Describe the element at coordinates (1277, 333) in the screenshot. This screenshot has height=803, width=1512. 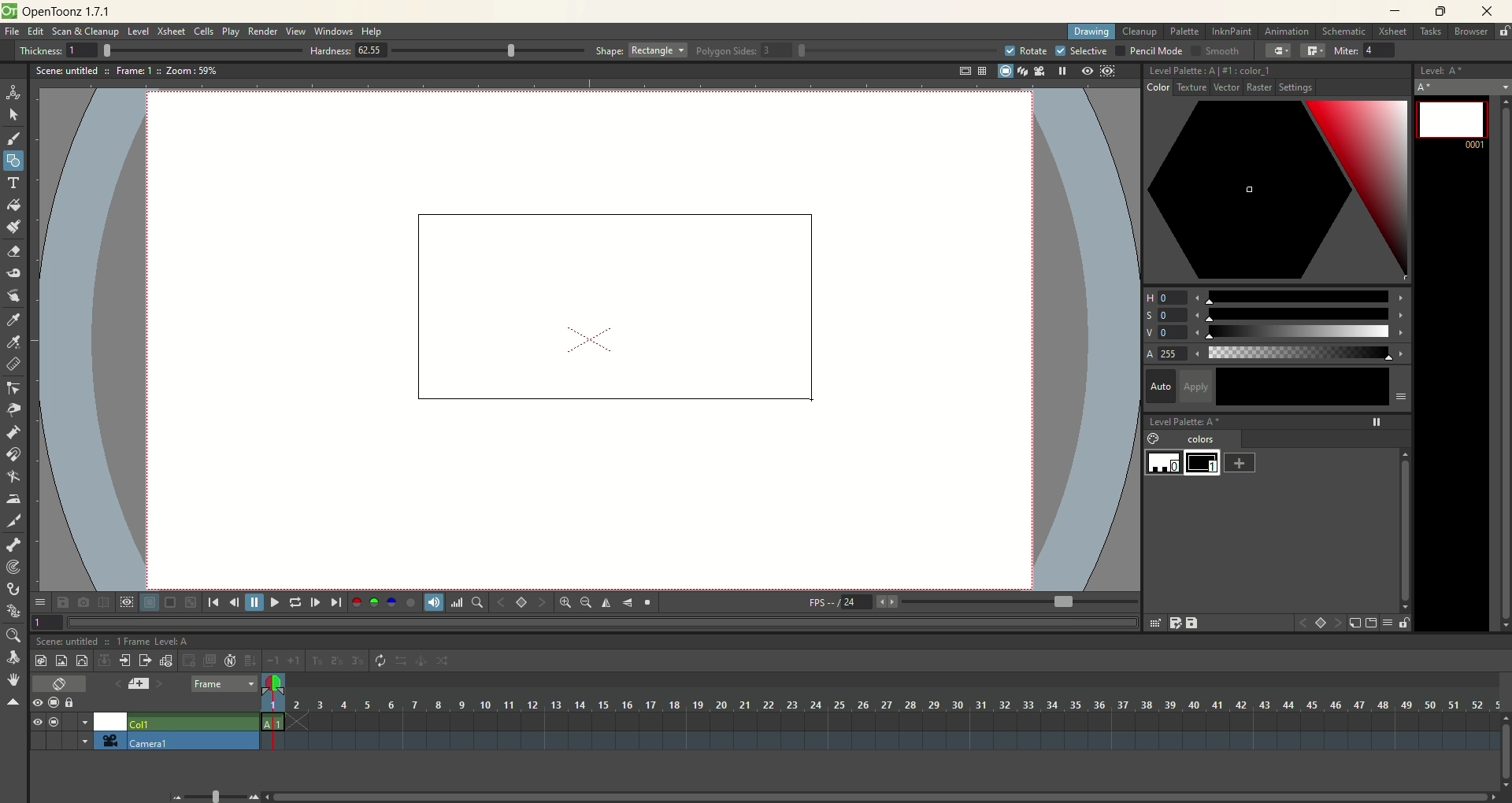
I see `value` at that location.